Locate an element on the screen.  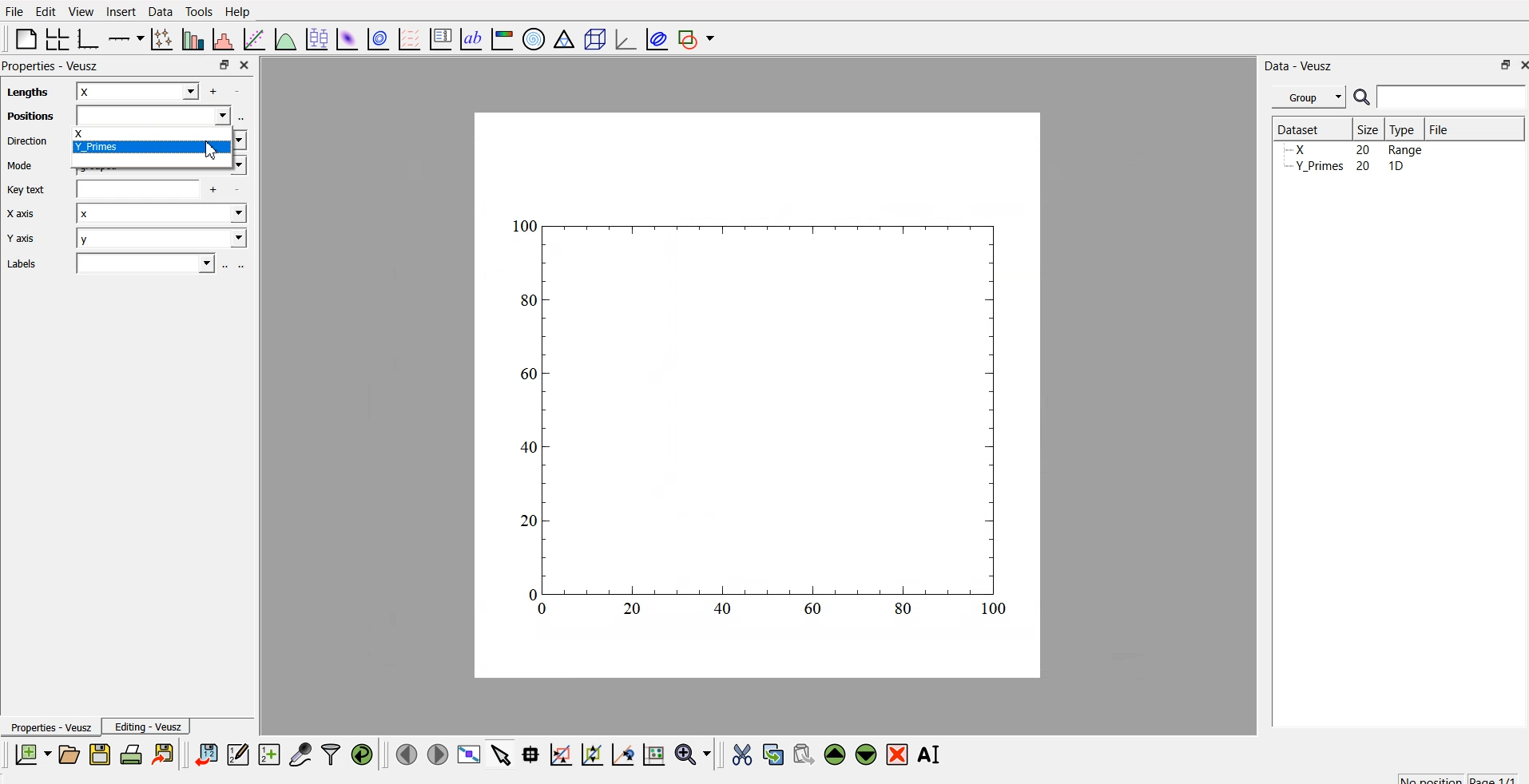
Type is located at coordinates (1406, 129).